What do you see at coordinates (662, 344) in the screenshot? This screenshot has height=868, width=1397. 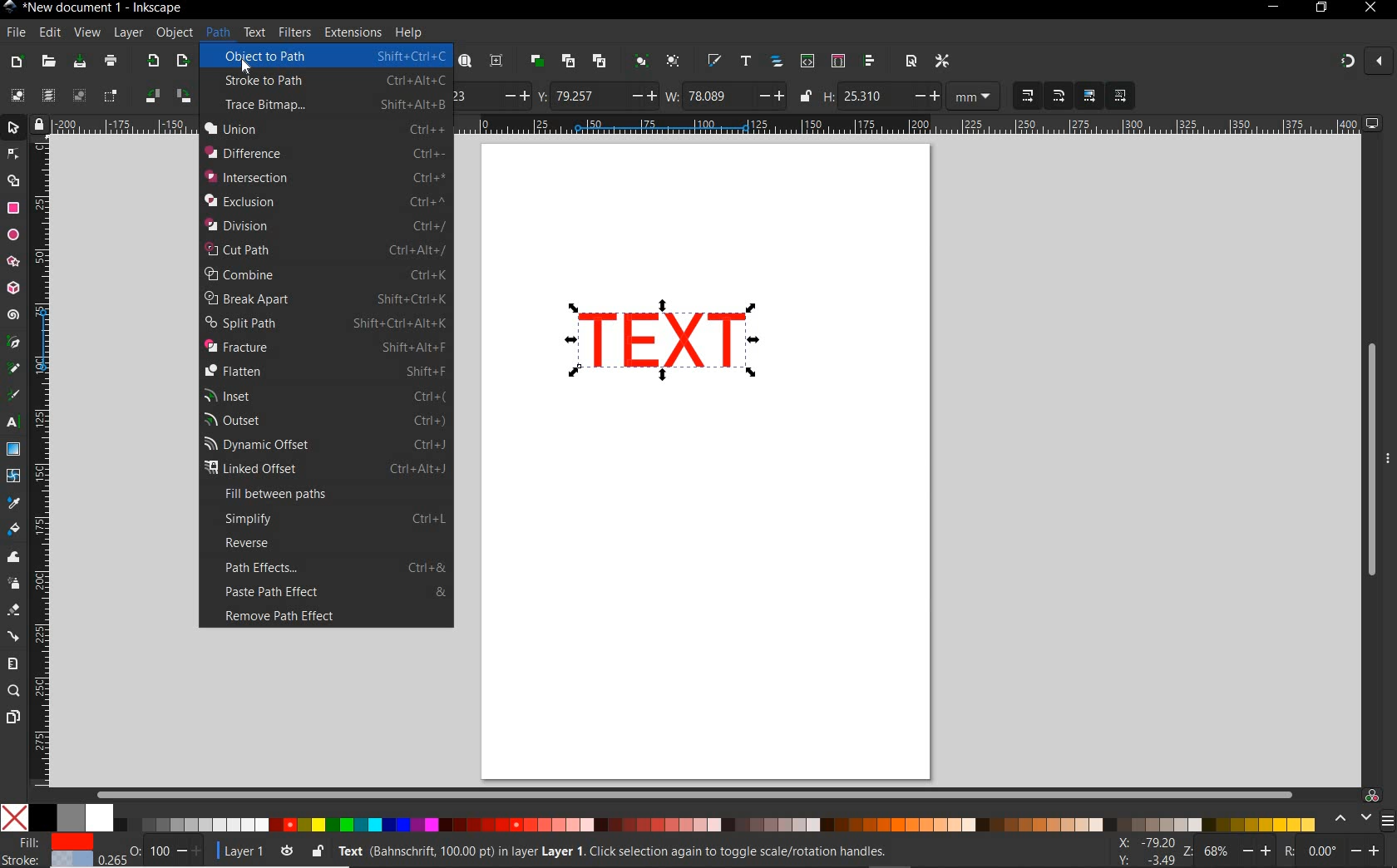 I see `selection tool` at bounding box center [662, 344].